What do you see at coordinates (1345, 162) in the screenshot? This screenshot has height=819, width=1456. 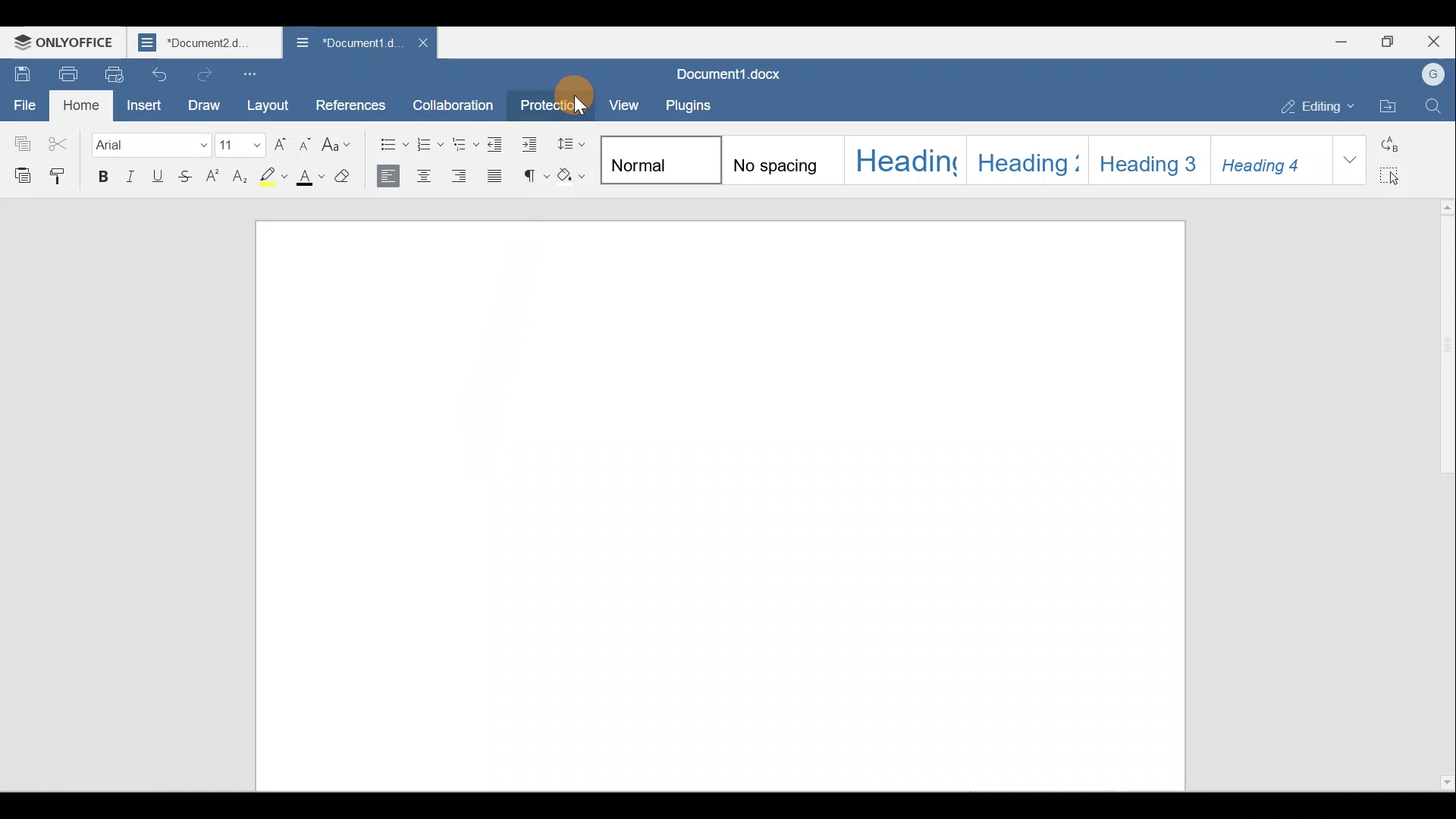 I see `More styles` at bounding box center [1345, 162].